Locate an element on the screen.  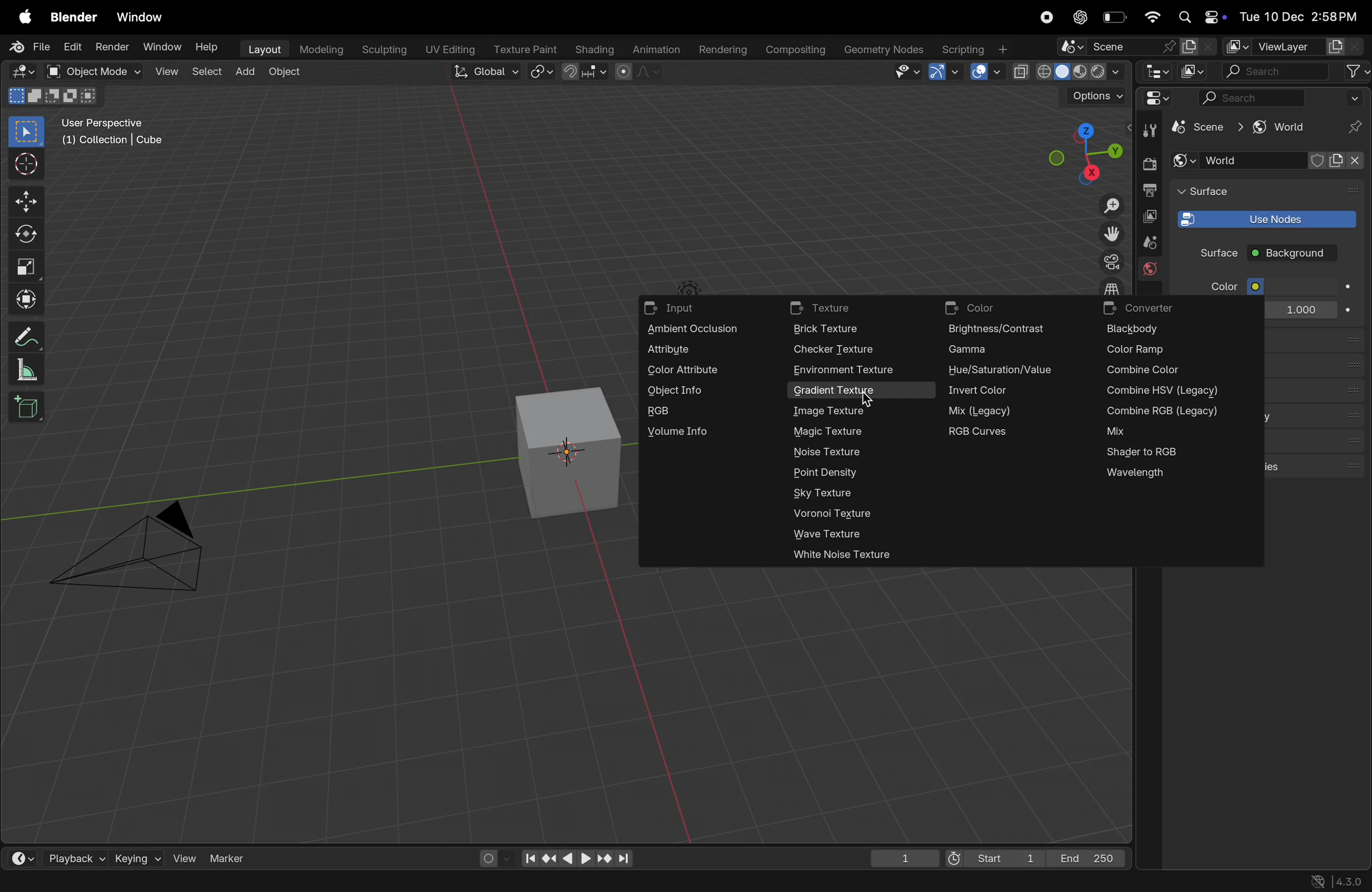
Brick texture is located at coordinates (842, 330).